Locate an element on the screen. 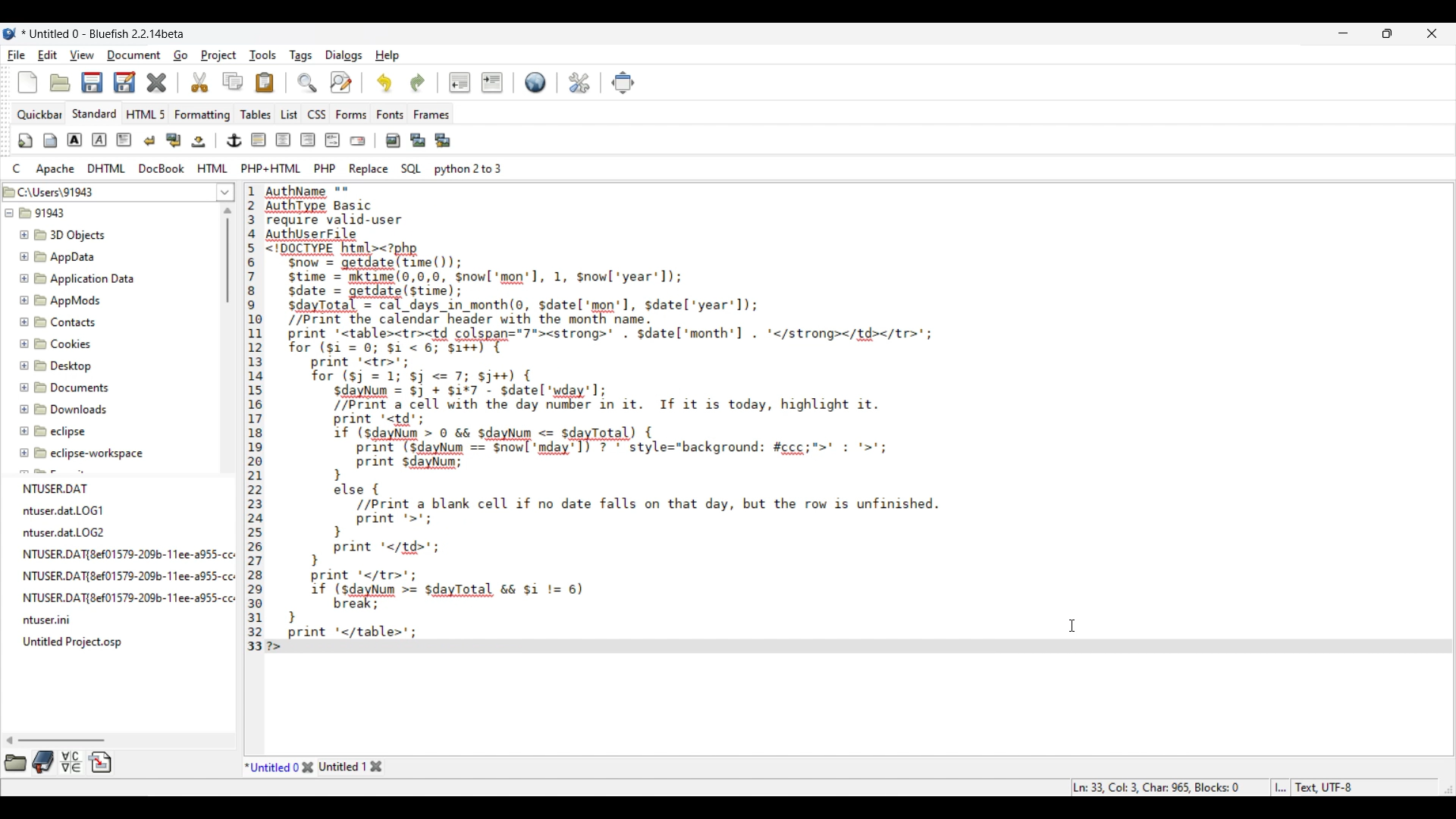  Go menu is located at coordinates (180, 55).